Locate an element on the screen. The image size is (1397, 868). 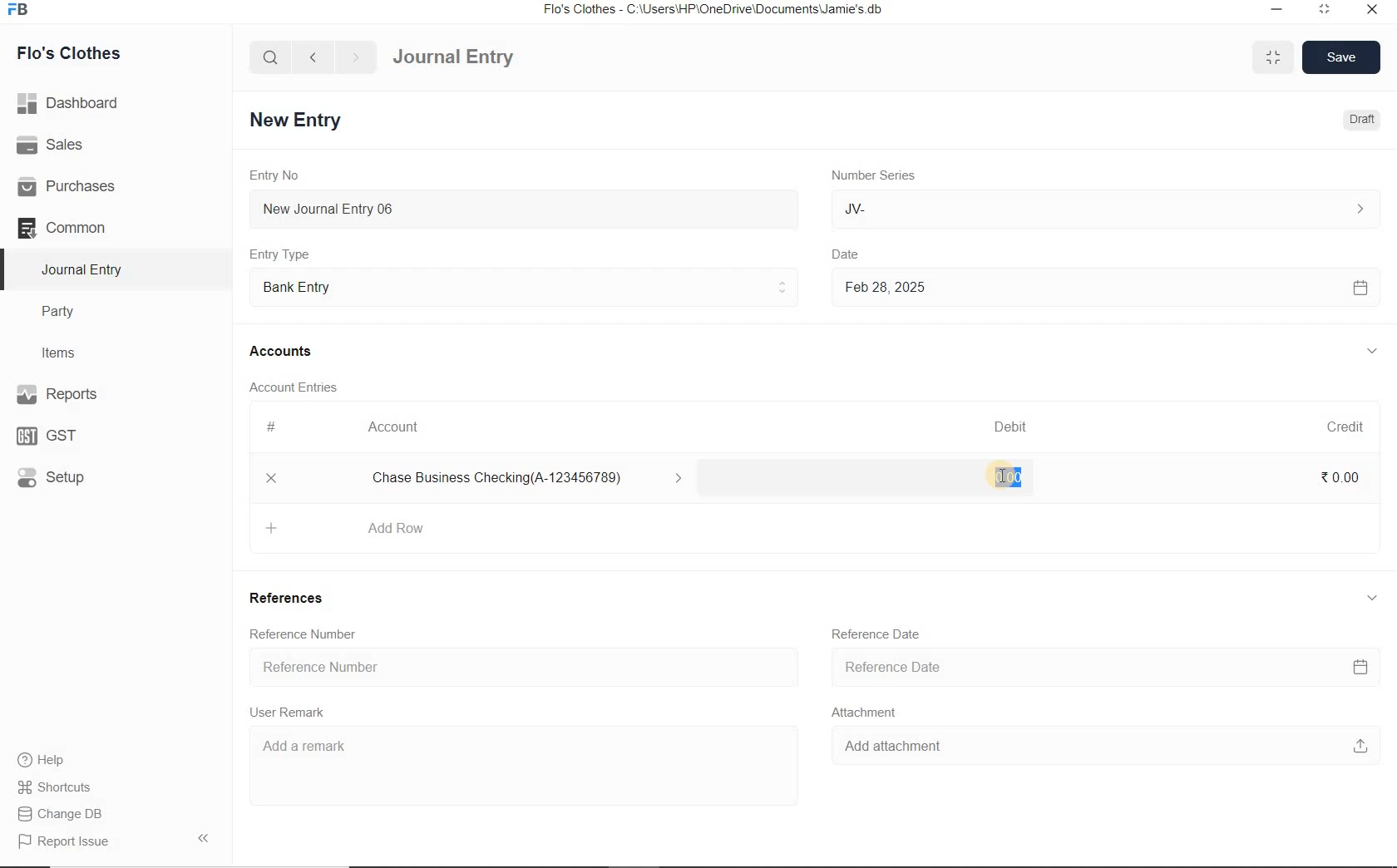
₹0.00 is located at coordinates (1340, 476).